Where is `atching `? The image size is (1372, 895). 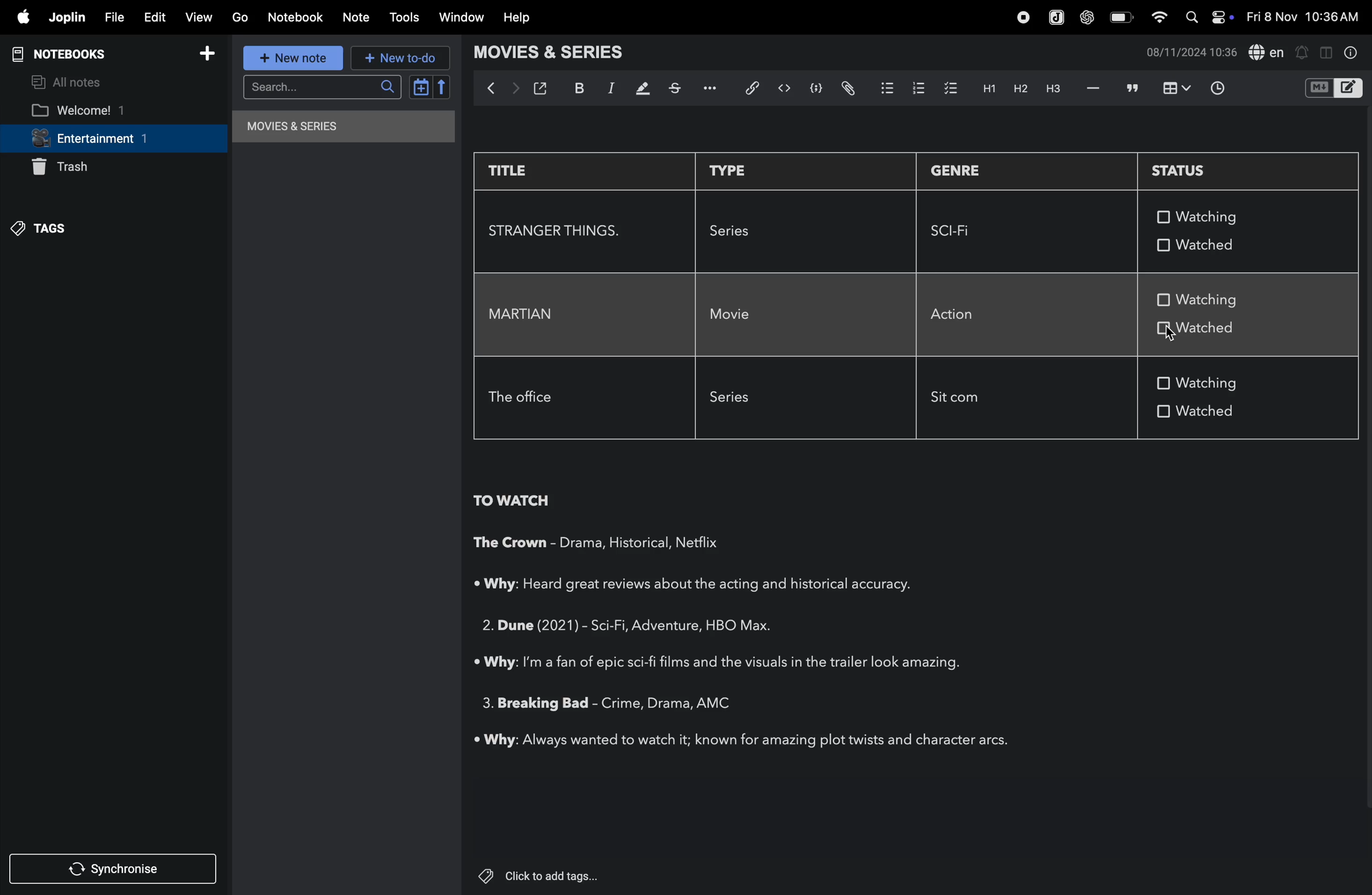 atching  is located at coordinates (1208, 216).